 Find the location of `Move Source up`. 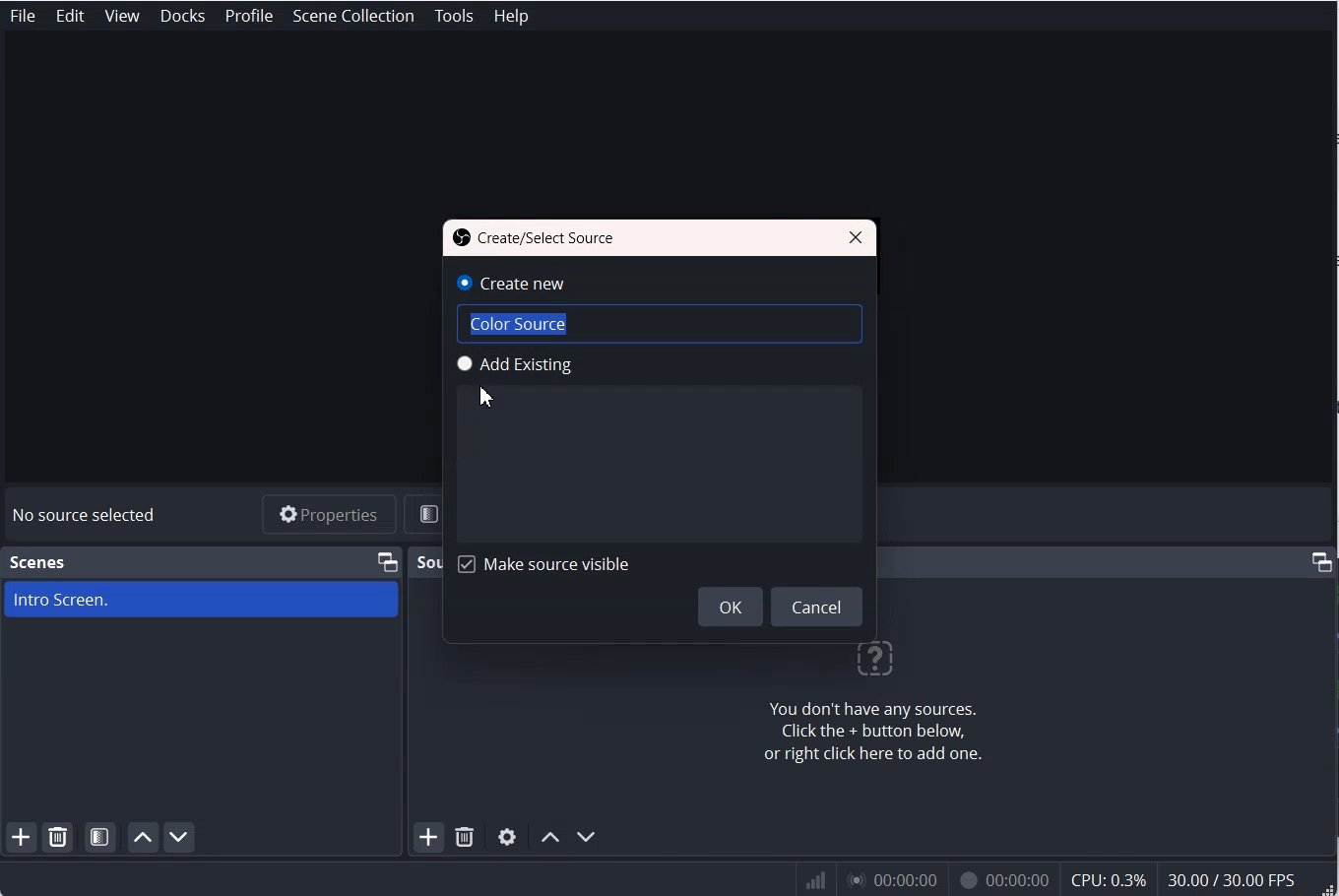

Move Source up is located at coordinates (549, 836).